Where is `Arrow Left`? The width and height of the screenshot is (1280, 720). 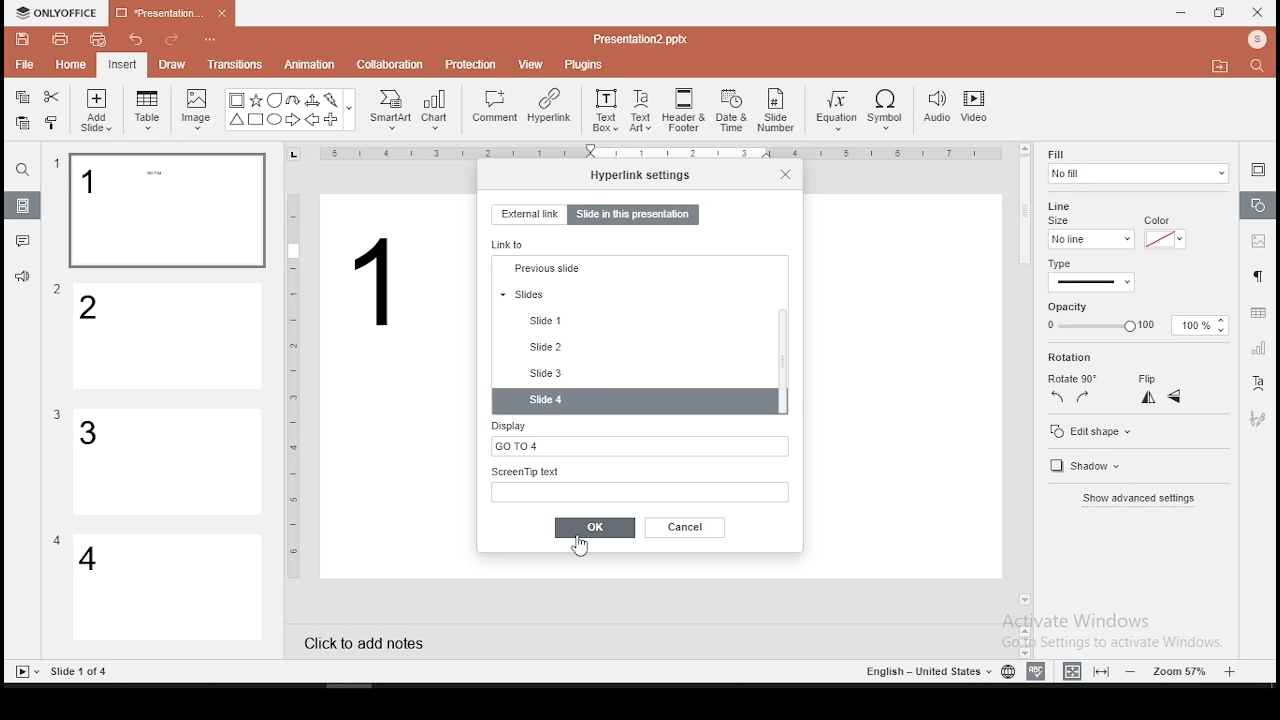 Arrow Left is located at coordinates (312, 120).